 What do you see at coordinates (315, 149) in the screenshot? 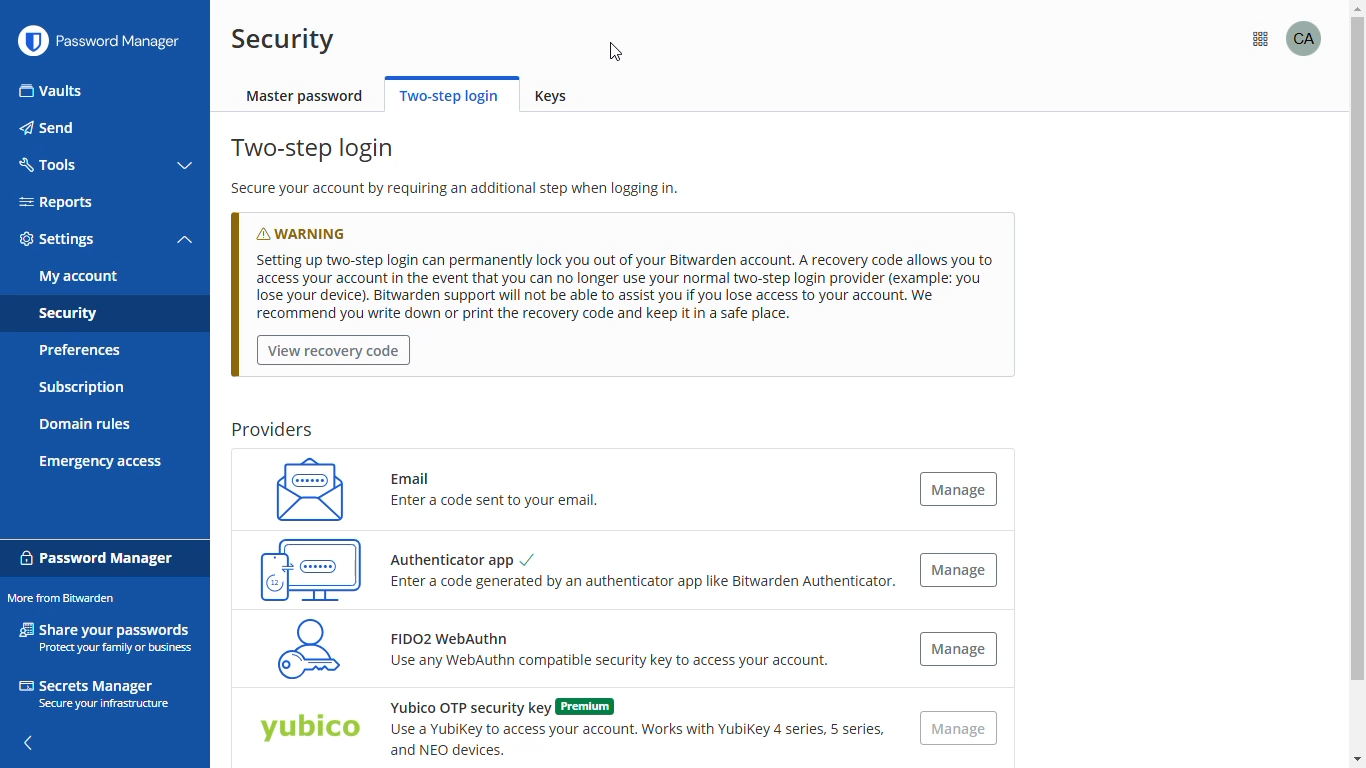
I see `two-step login` at bounding box center [315, 149].